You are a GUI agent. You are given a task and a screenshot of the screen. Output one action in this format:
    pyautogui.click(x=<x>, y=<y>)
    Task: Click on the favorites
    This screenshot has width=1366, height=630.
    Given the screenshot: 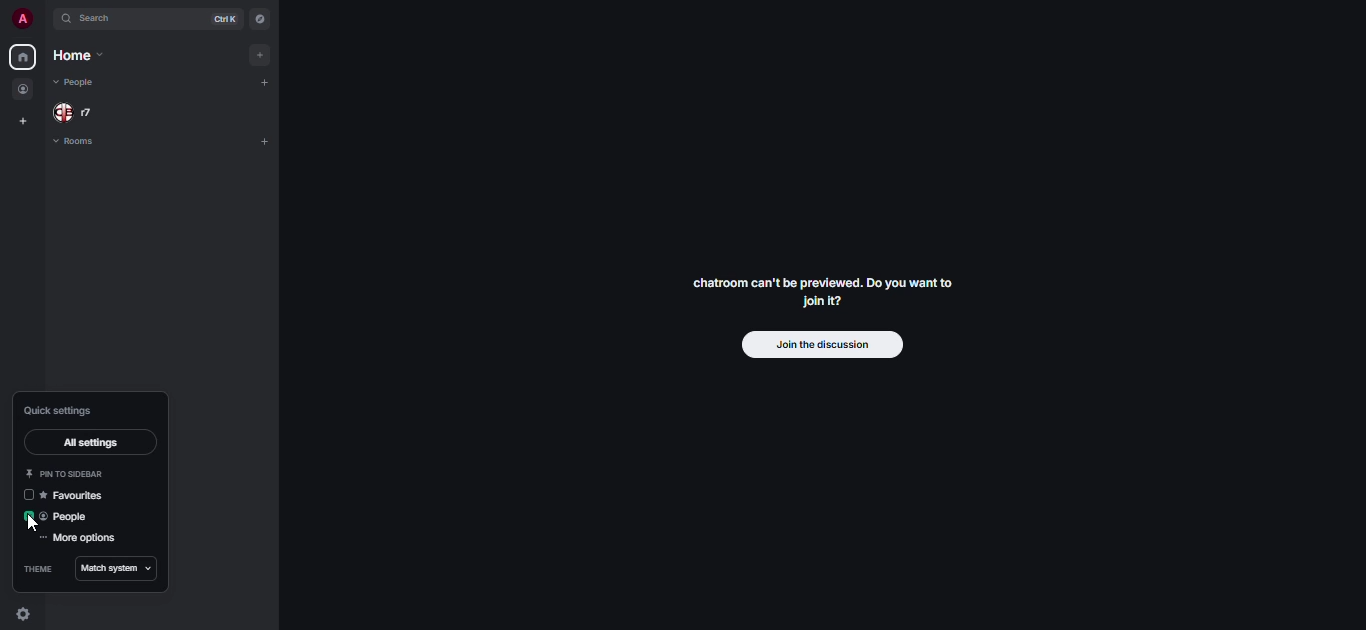 What is the action you would take?
    pyautogui.click(x=79, y=496)
    